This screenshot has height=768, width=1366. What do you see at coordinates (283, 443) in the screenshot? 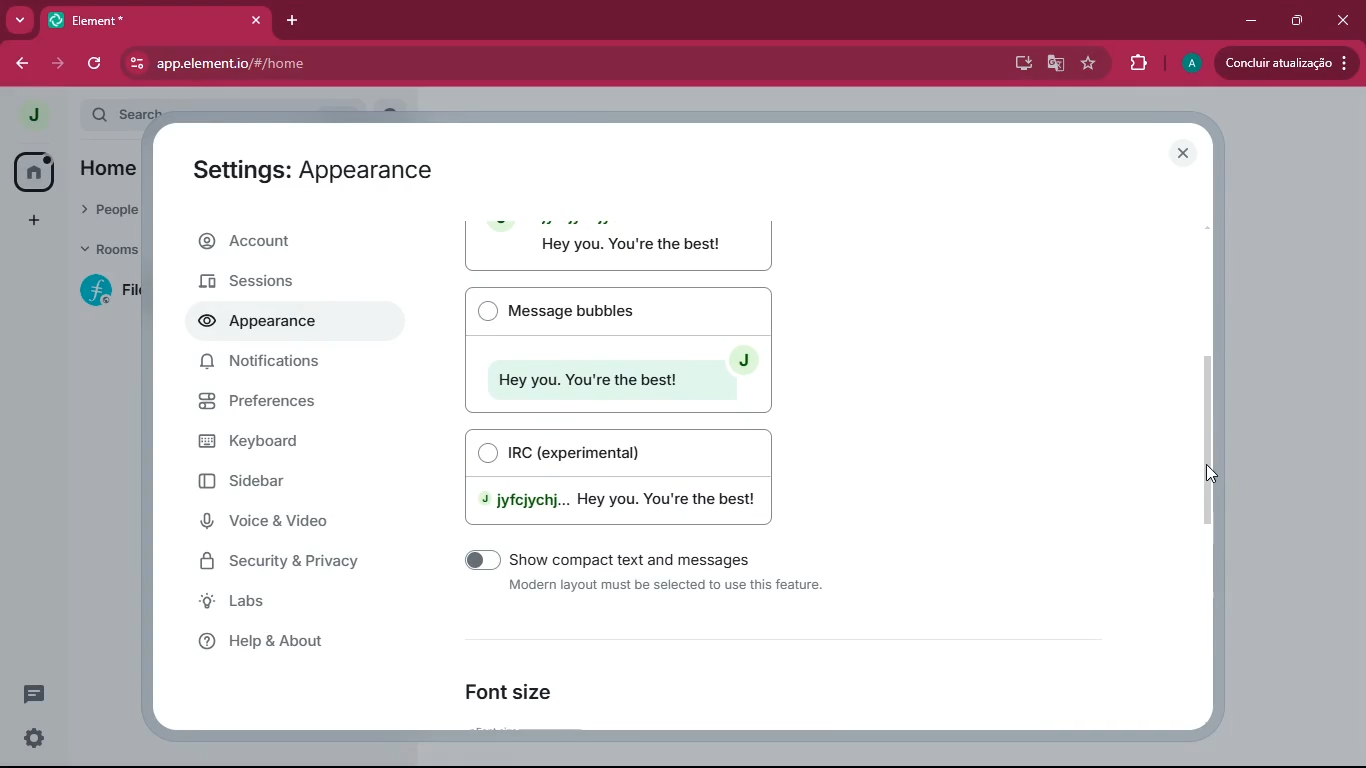
I see `keyboard` at bounding box center [283, 443].